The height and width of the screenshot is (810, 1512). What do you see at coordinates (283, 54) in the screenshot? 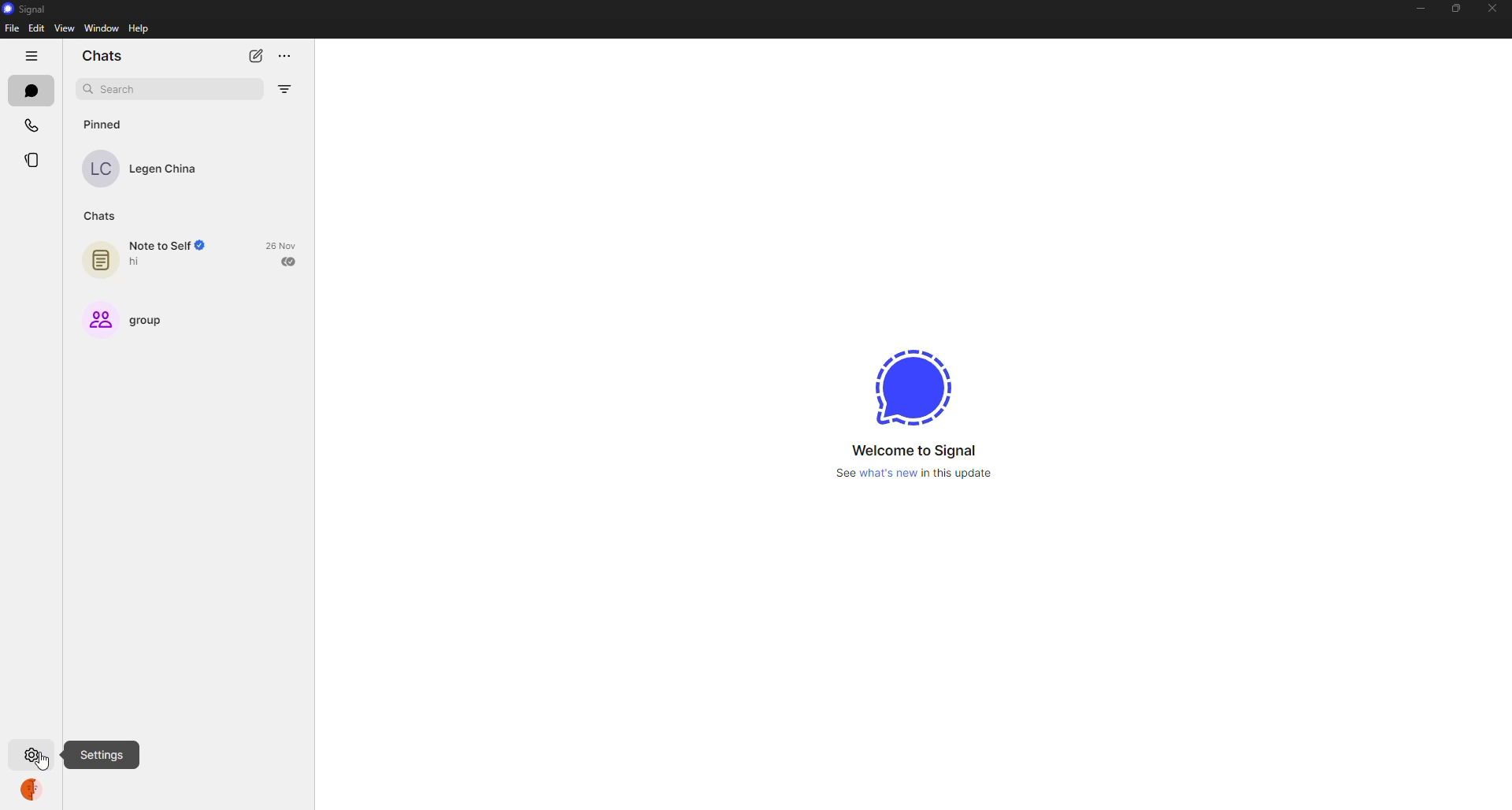
I see `more` at bounding box center [283, 54].